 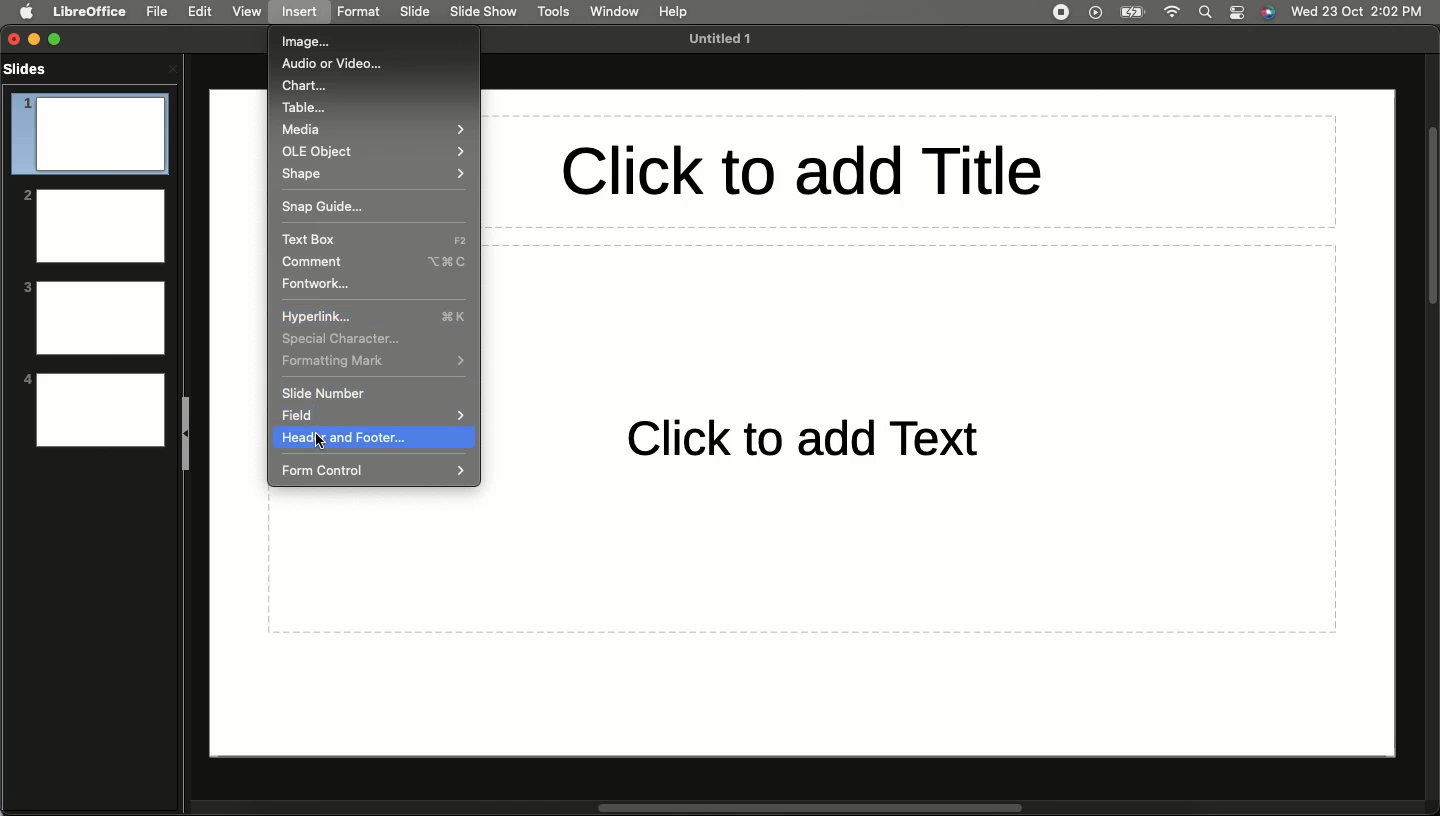 I want to click on 4, so click(x=93, y=409).